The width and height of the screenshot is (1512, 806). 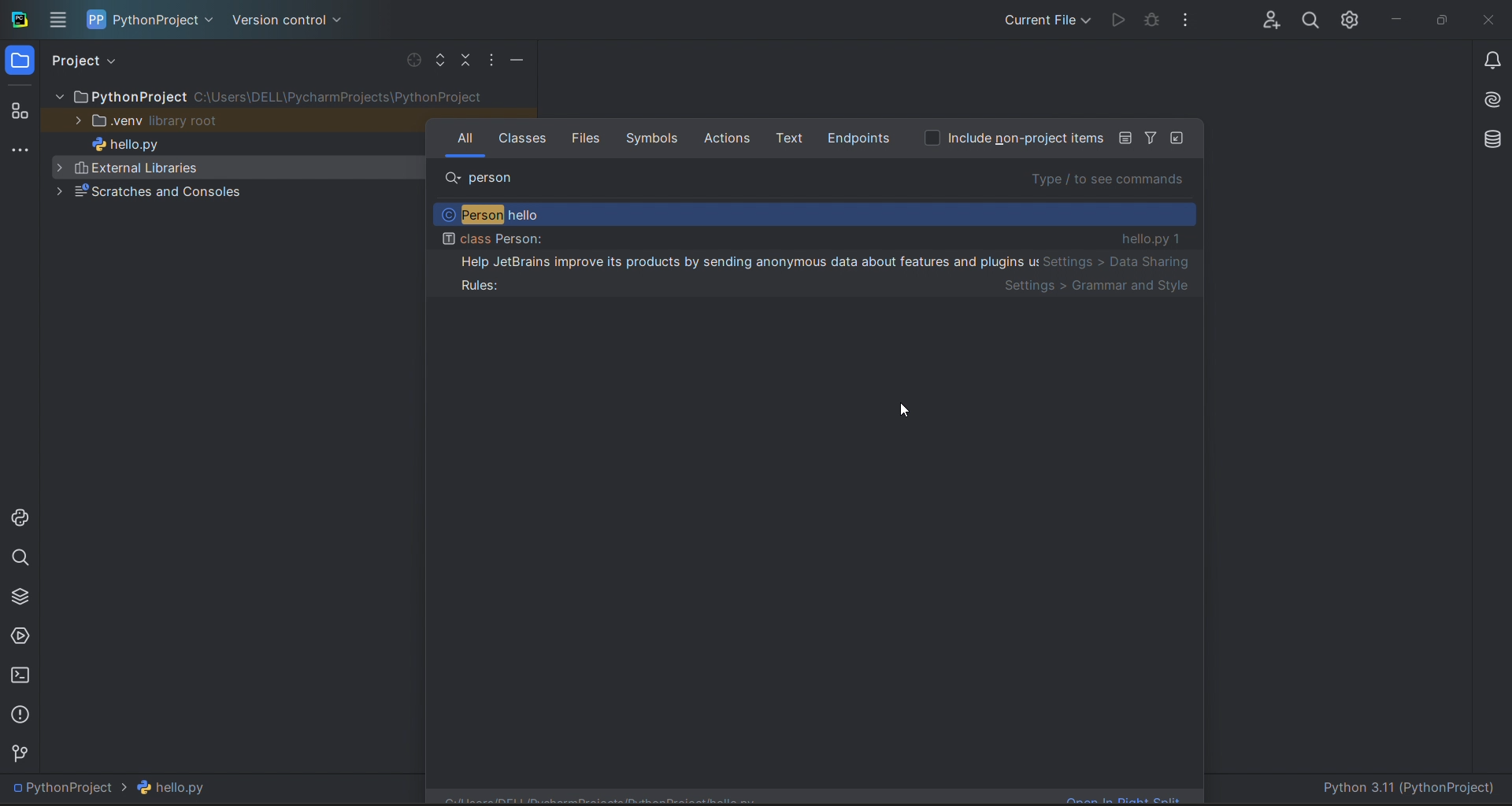 I want to click on close, so click(x=1487, y=16).